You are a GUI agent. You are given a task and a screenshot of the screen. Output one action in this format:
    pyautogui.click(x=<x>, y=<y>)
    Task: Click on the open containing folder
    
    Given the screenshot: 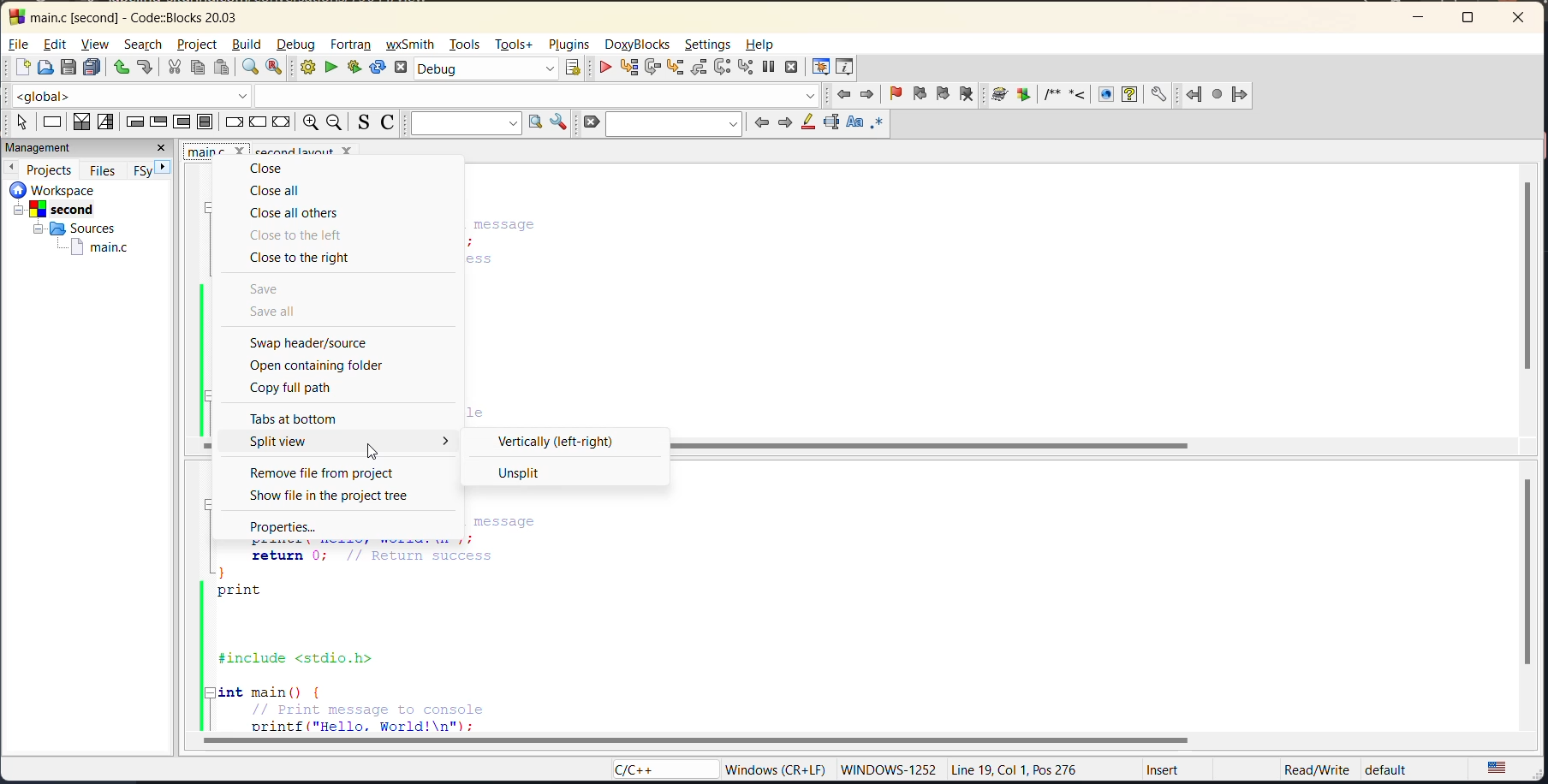 What is the action you would take?
    pyautogui.click(x=325, y=365)
    